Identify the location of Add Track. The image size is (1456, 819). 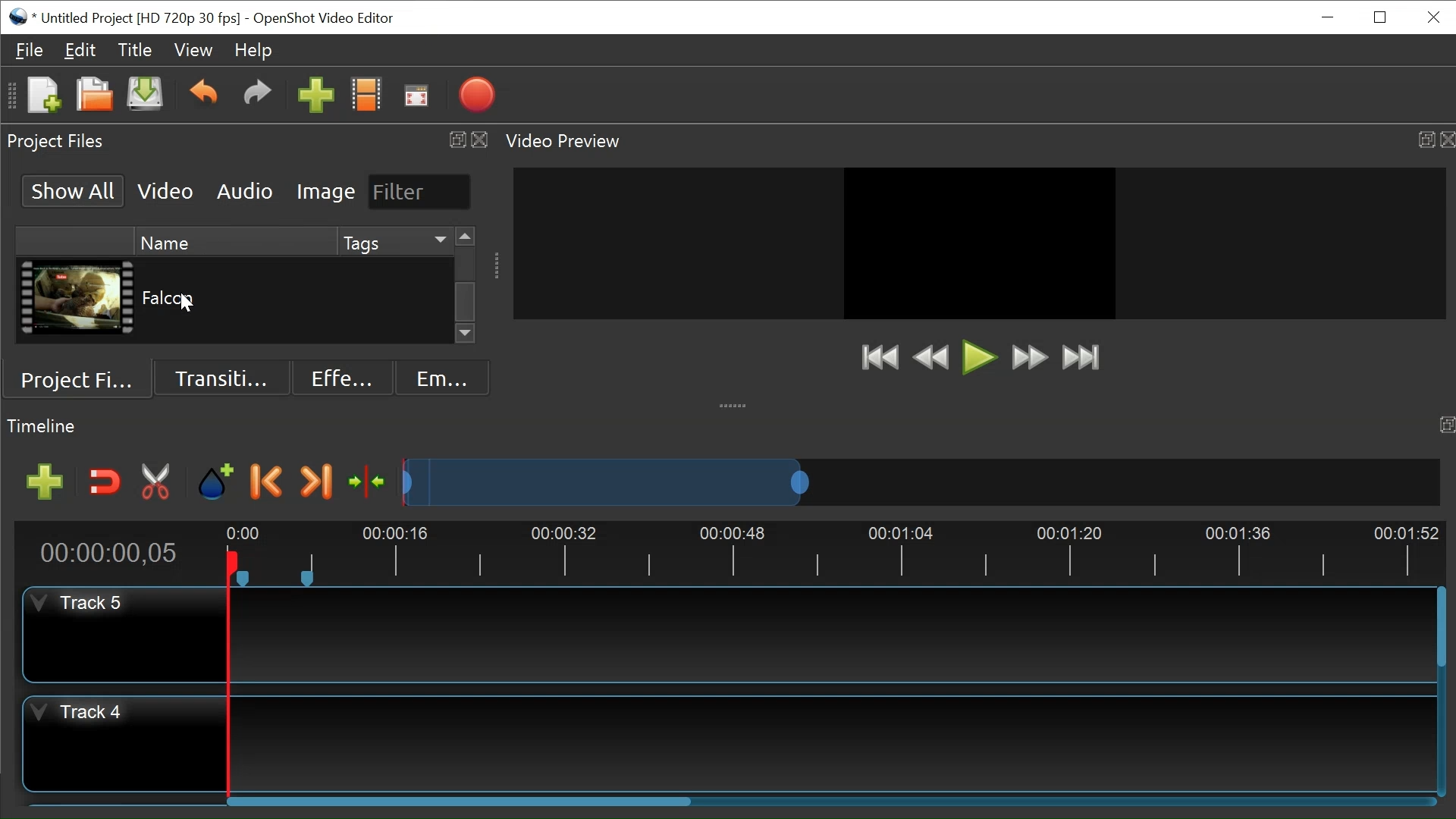
(39, 482).